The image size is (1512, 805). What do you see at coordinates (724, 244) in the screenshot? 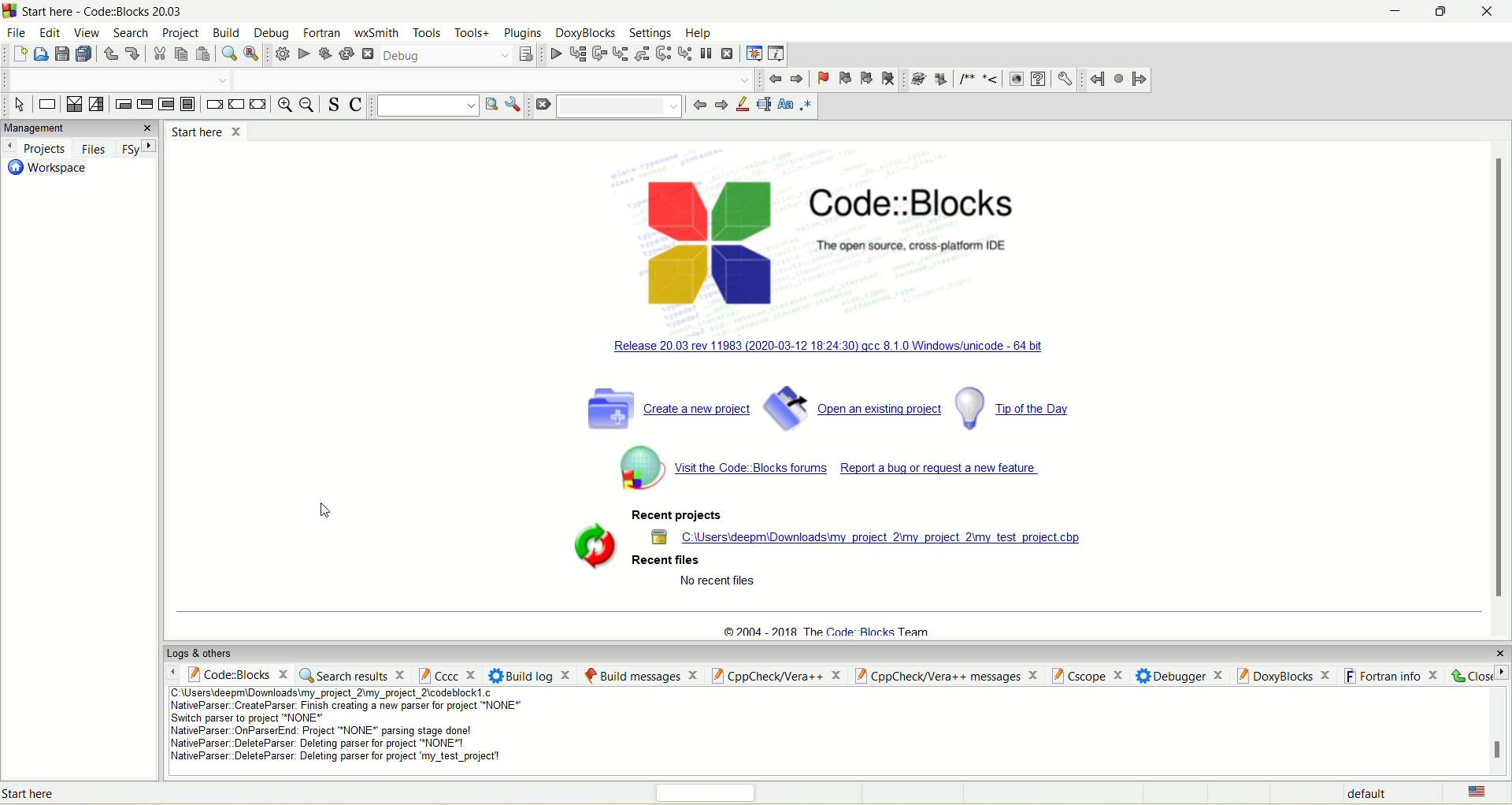
I see `logo` at bounding box center [724, 244].